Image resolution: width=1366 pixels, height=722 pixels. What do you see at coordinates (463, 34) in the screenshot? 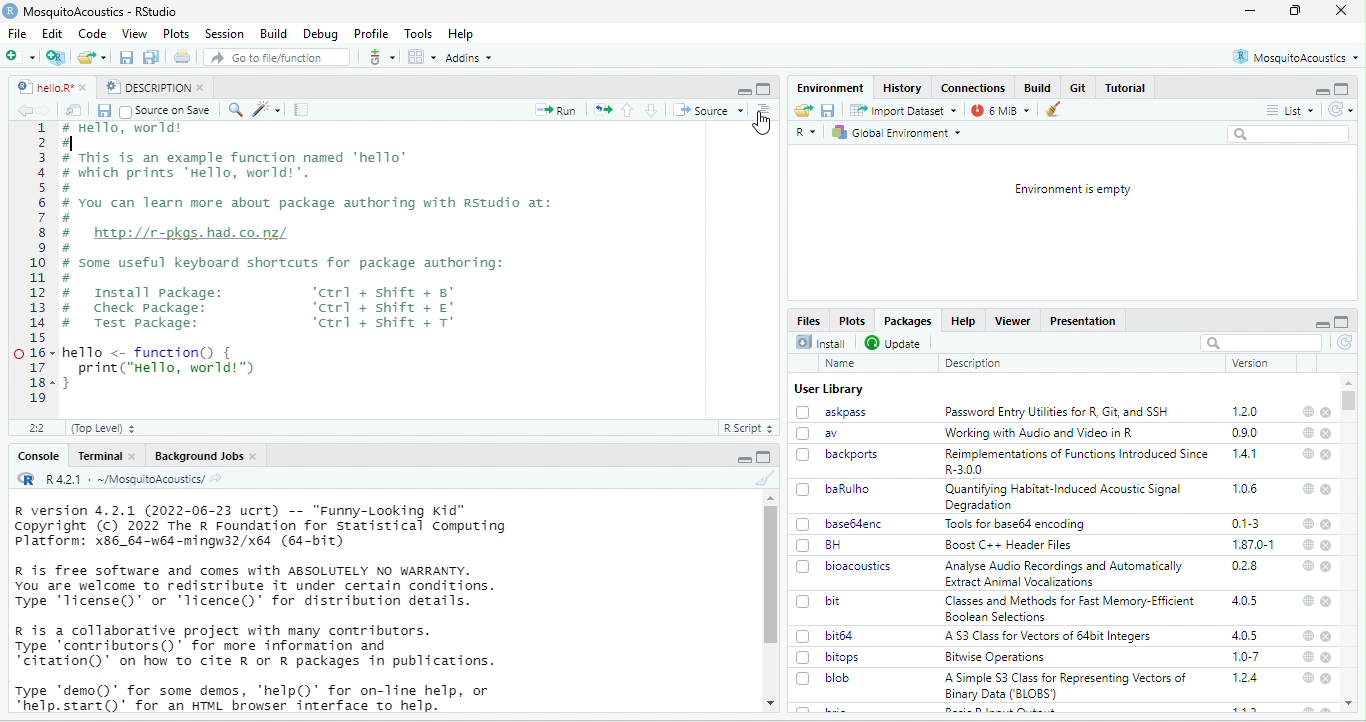
I see `Help` at bounding box center [463, 34].